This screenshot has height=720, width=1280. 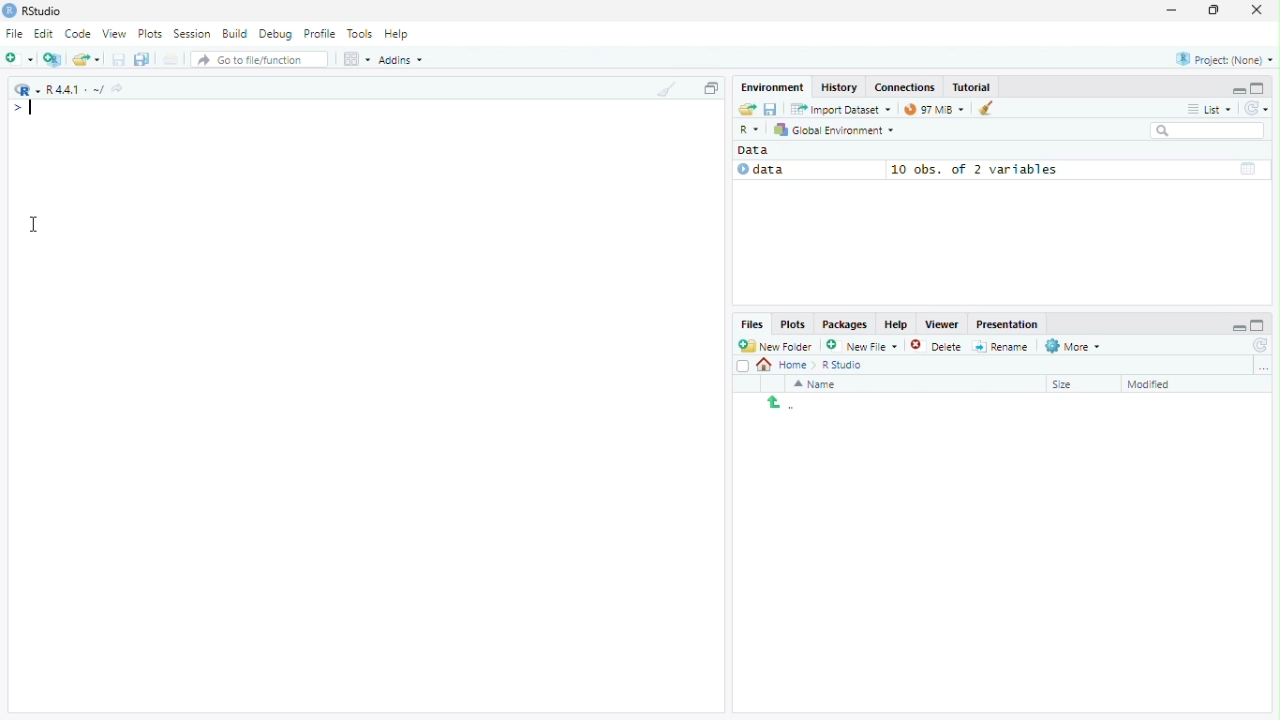 What do you see at coordinates (237, 34) in the screenshot?
I see `Build` at bounding box center [237, 34].